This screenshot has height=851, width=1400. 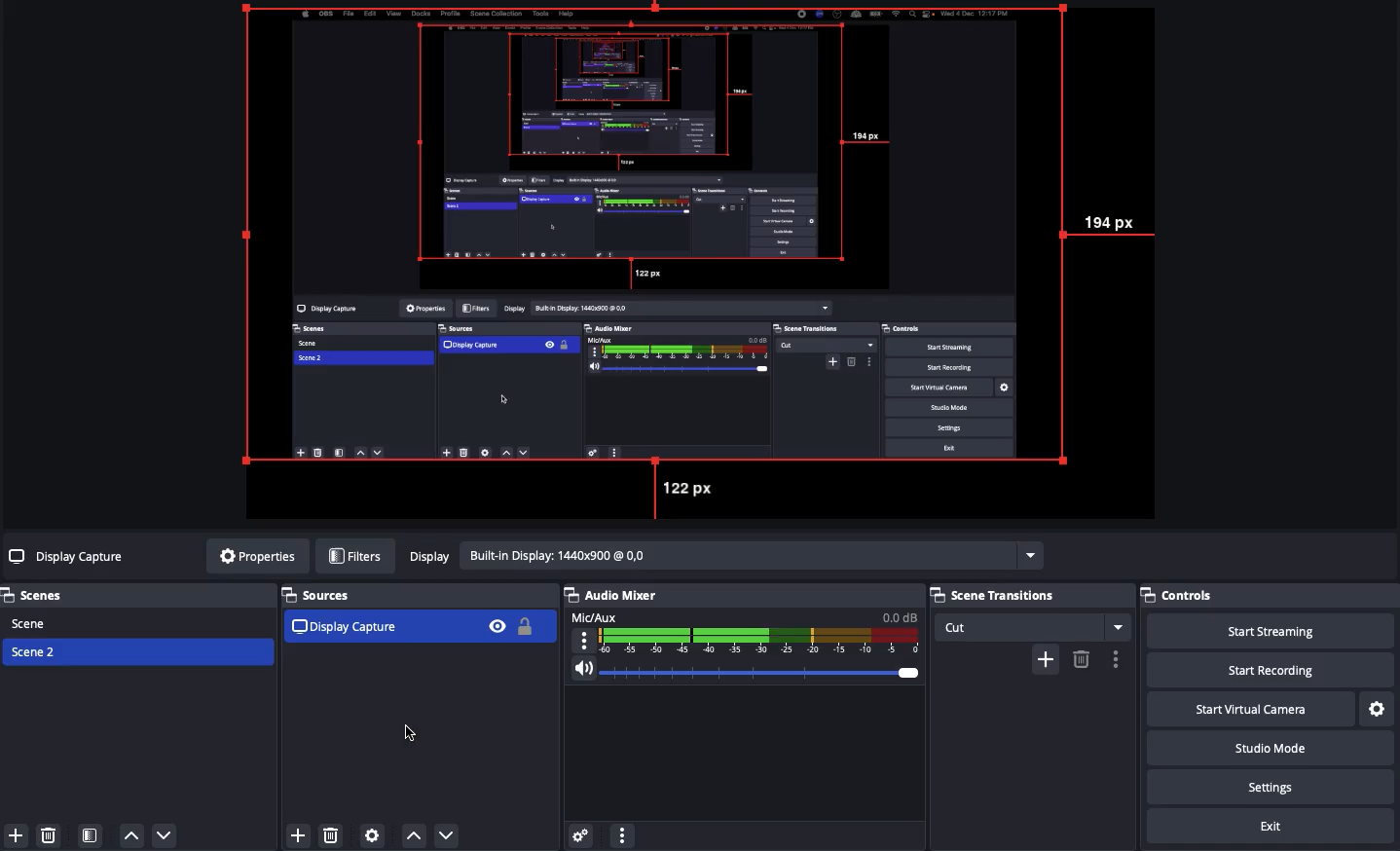 What do you see at coordinates (1271, 631) in the screenshot?
I see `Start streaming` at bounding box center [1271, 631].